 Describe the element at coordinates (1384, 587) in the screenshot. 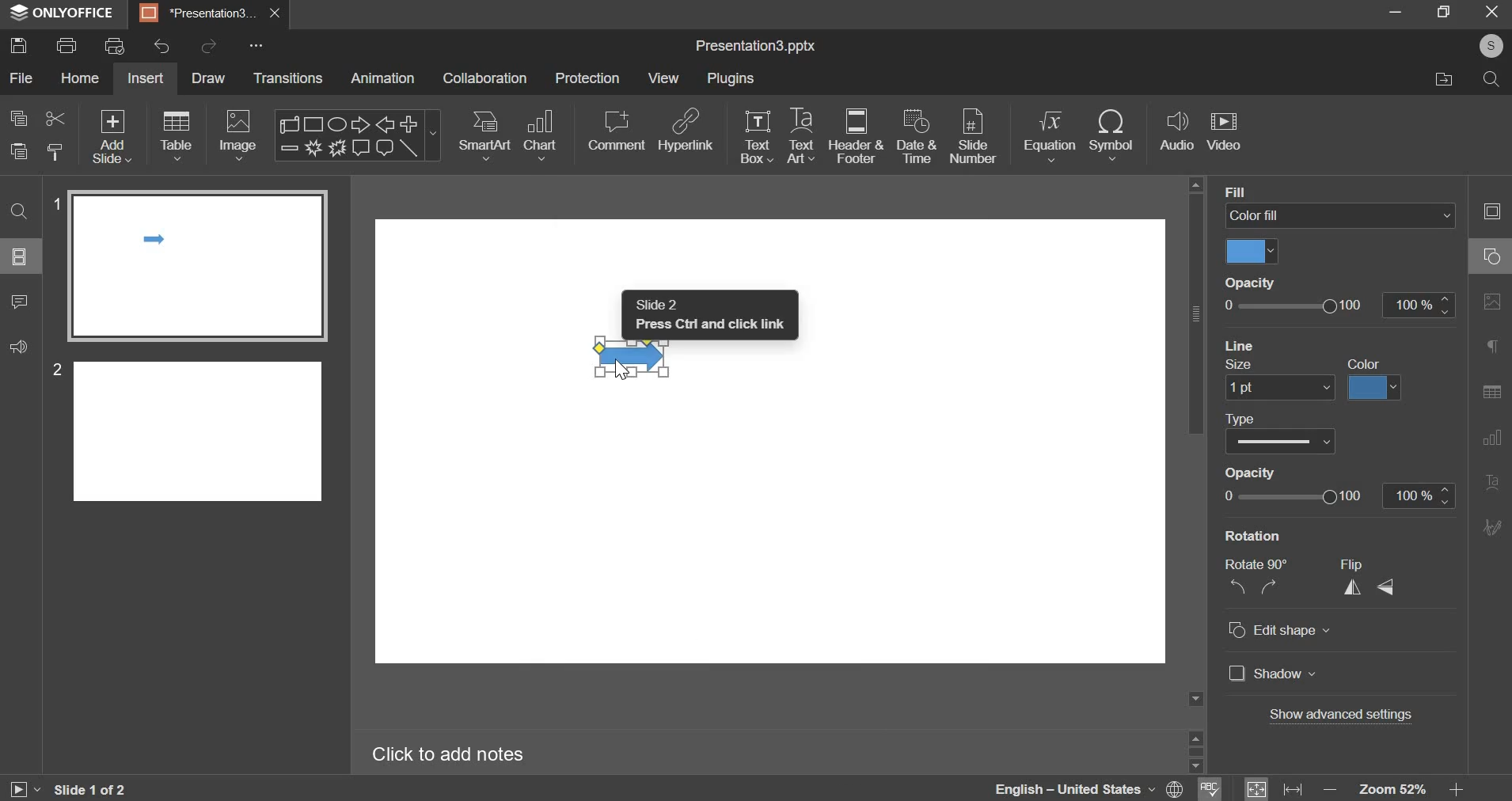

I see `flip vertically` at that location.